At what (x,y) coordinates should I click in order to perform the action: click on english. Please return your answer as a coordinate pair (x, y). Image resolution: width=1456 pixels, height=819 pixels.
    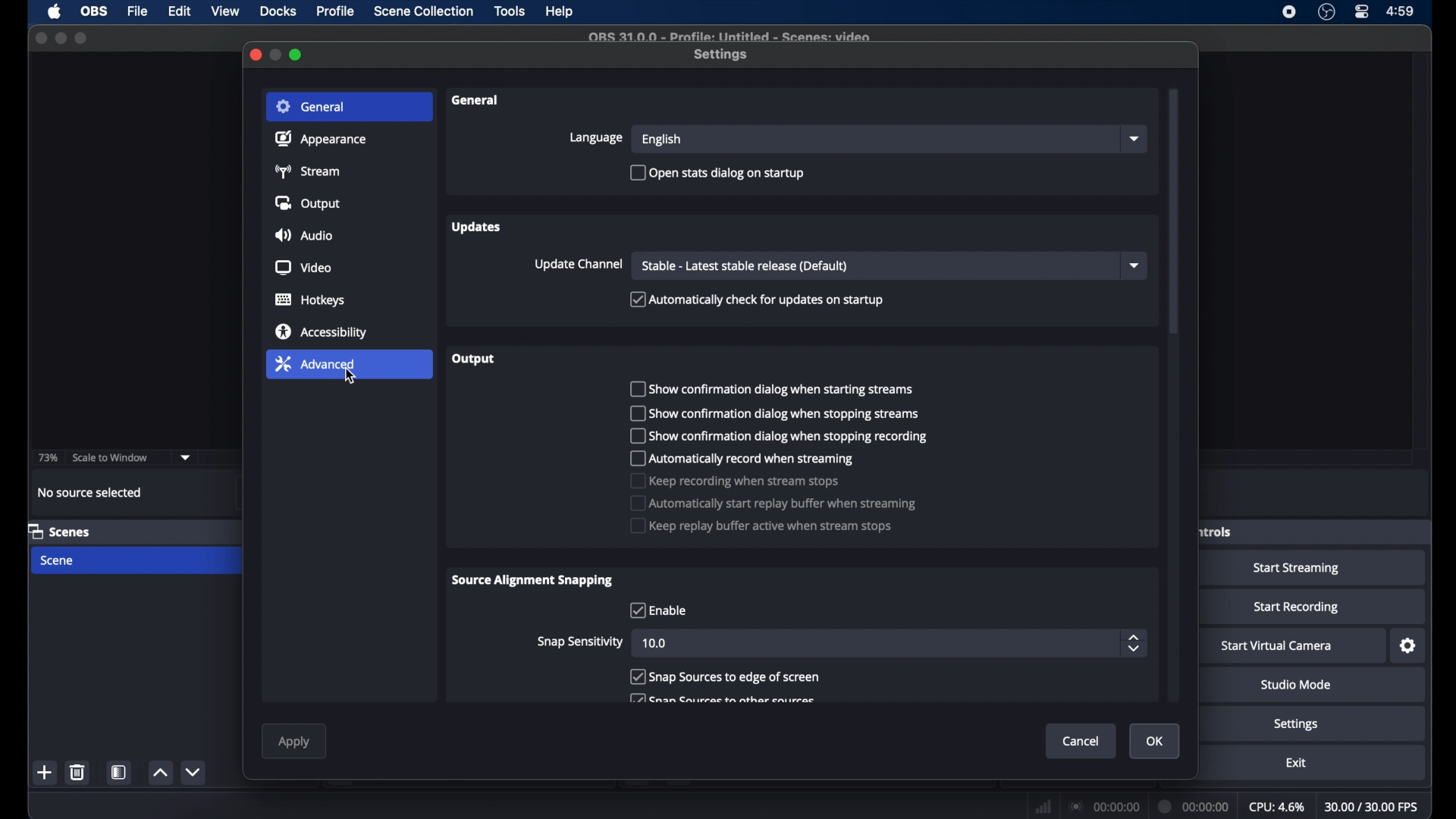
    Looking at the image, I should click on (661, 140).